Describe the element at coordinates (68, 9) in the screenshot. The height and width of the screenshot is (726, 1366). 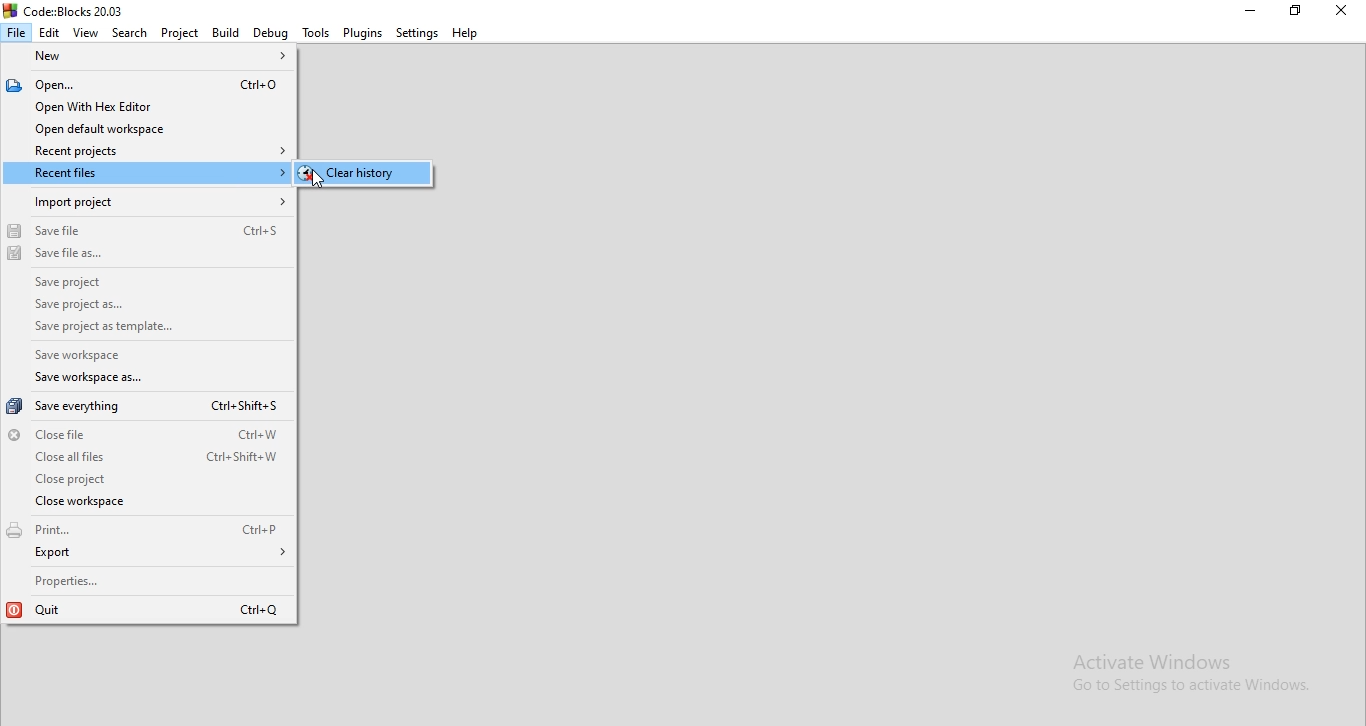
I see `Code::Blocks 20.03` at that location.